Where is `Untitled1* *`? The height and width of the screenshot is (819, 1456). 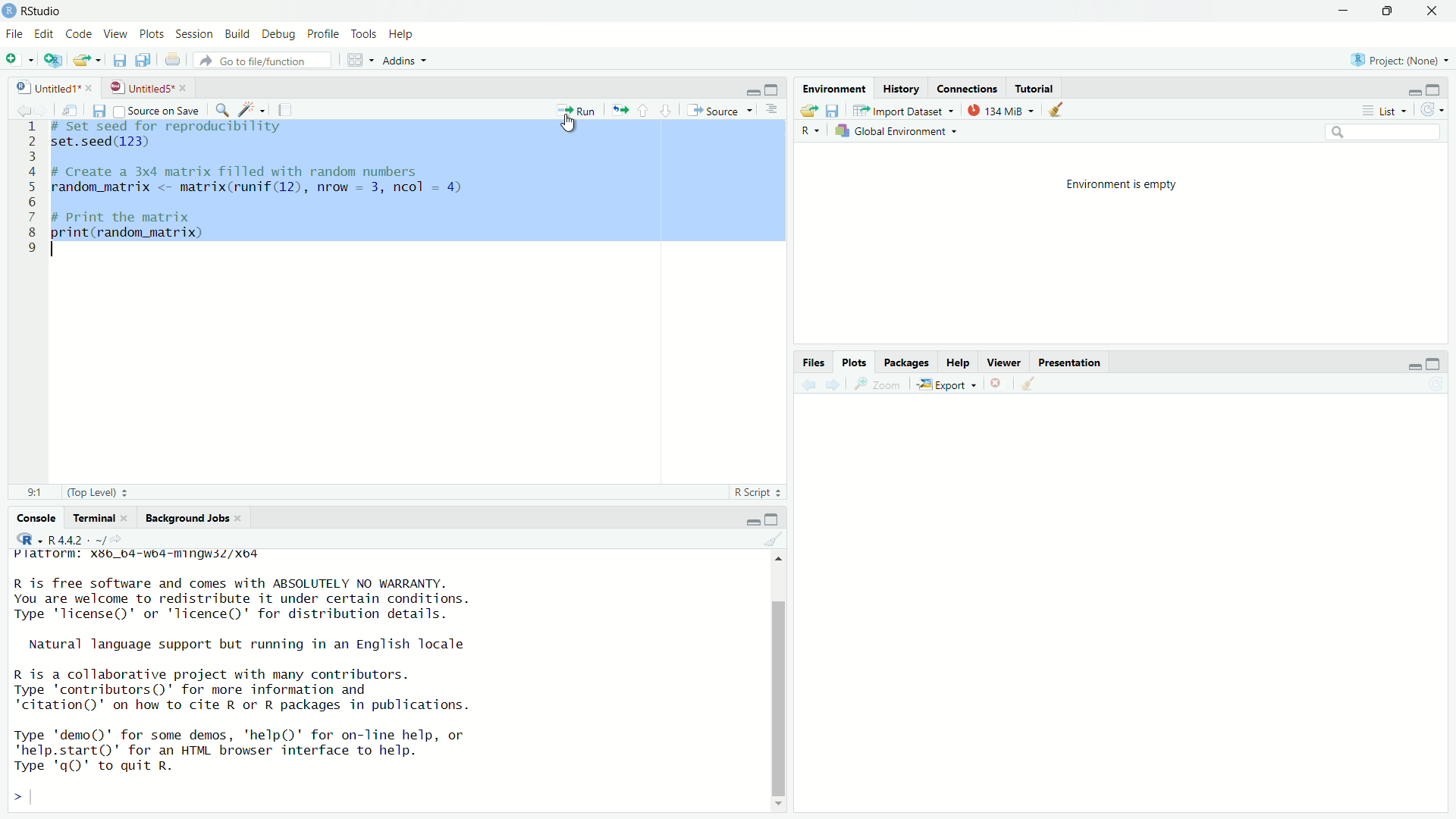
Untitled1* * is located at coordinates (52, 86).